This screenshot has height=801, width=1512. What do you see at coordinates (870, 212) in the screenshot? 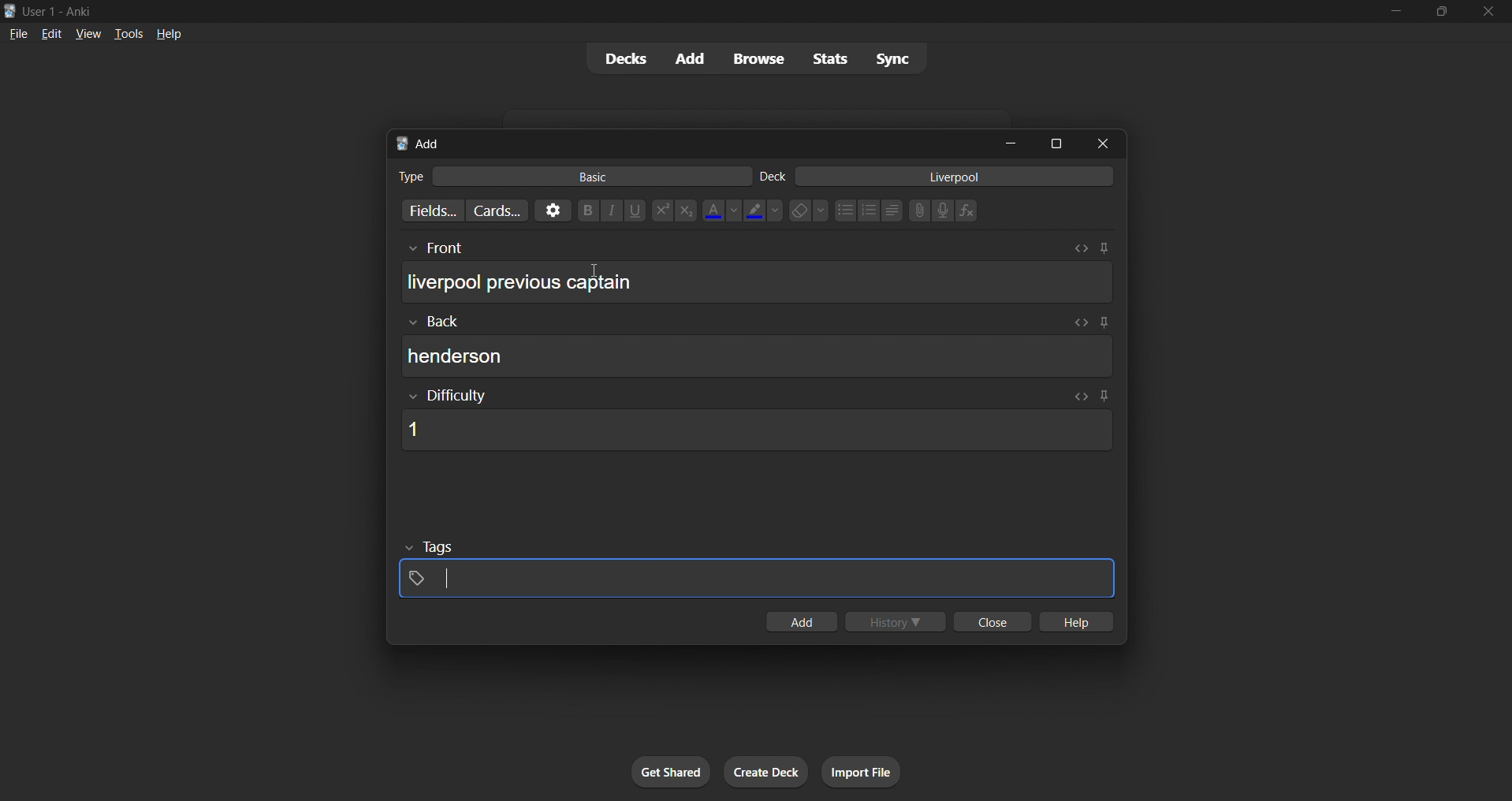
I see `numbered list` at bounding box center [870, 212].